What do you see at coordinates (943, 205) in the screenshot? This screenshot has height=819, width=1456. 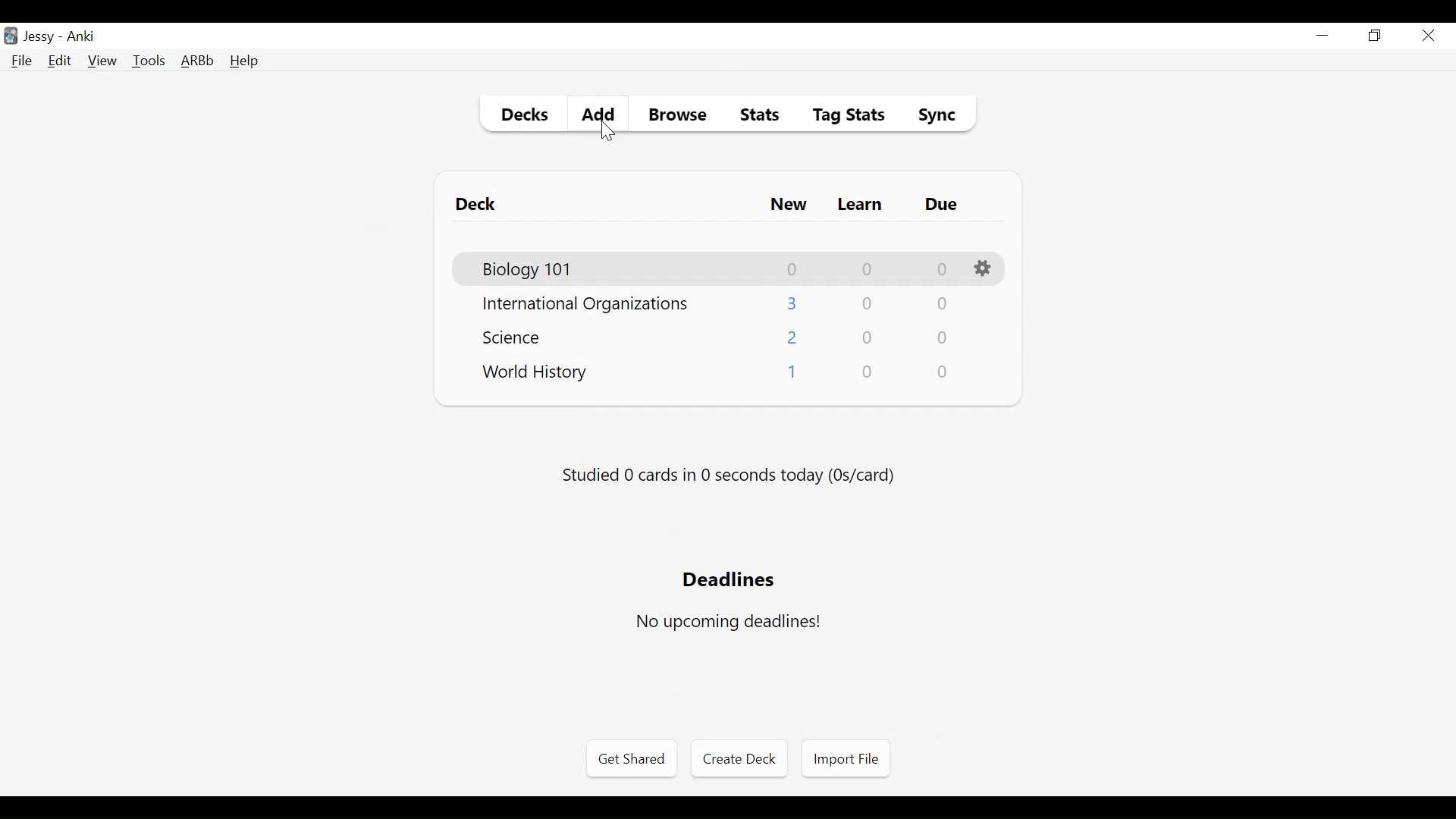 I see `Due` at bounding box center [943, 205].